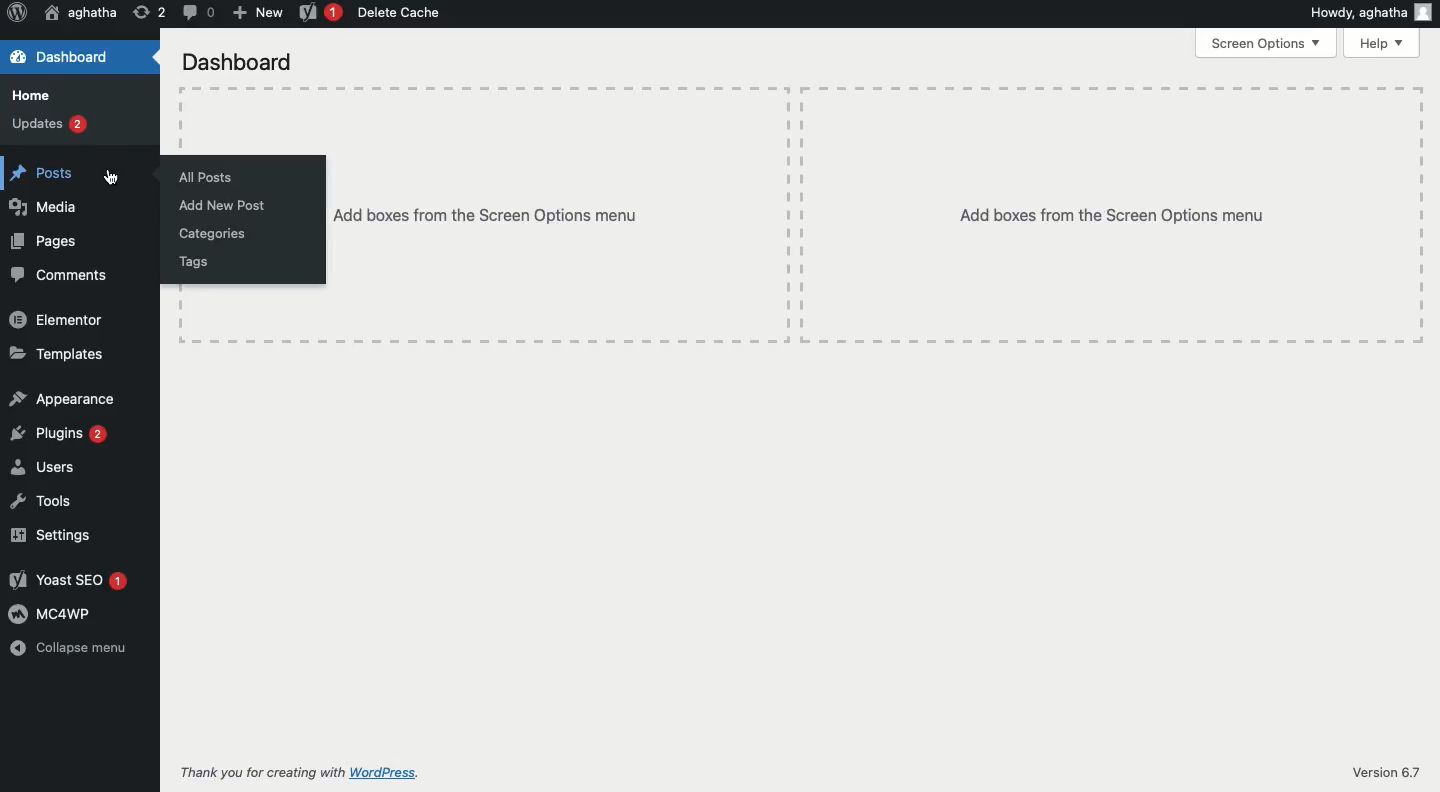  I want to click on Dashboard, so click(239, 61).